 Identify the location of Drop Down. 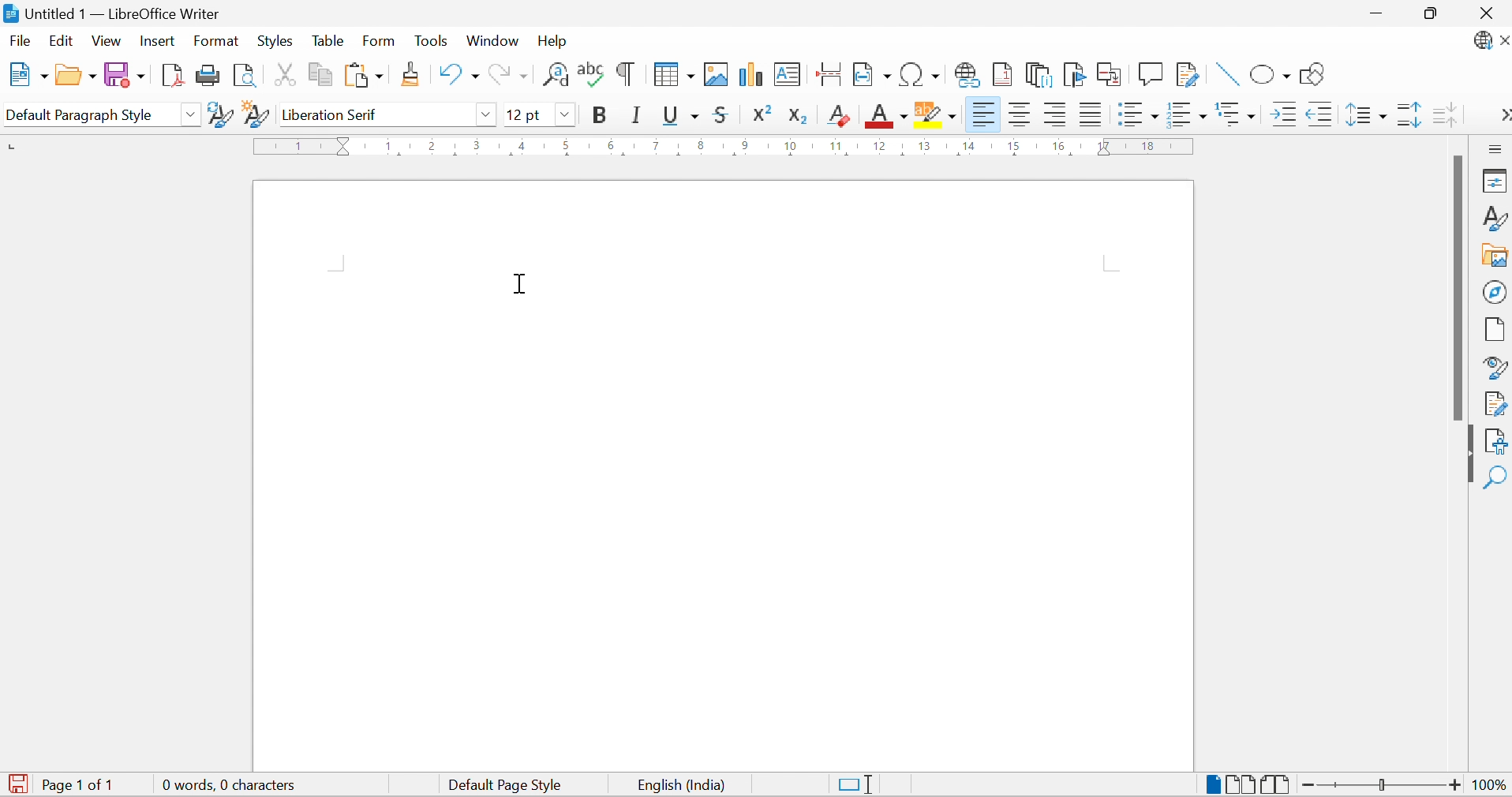
(485, 114).